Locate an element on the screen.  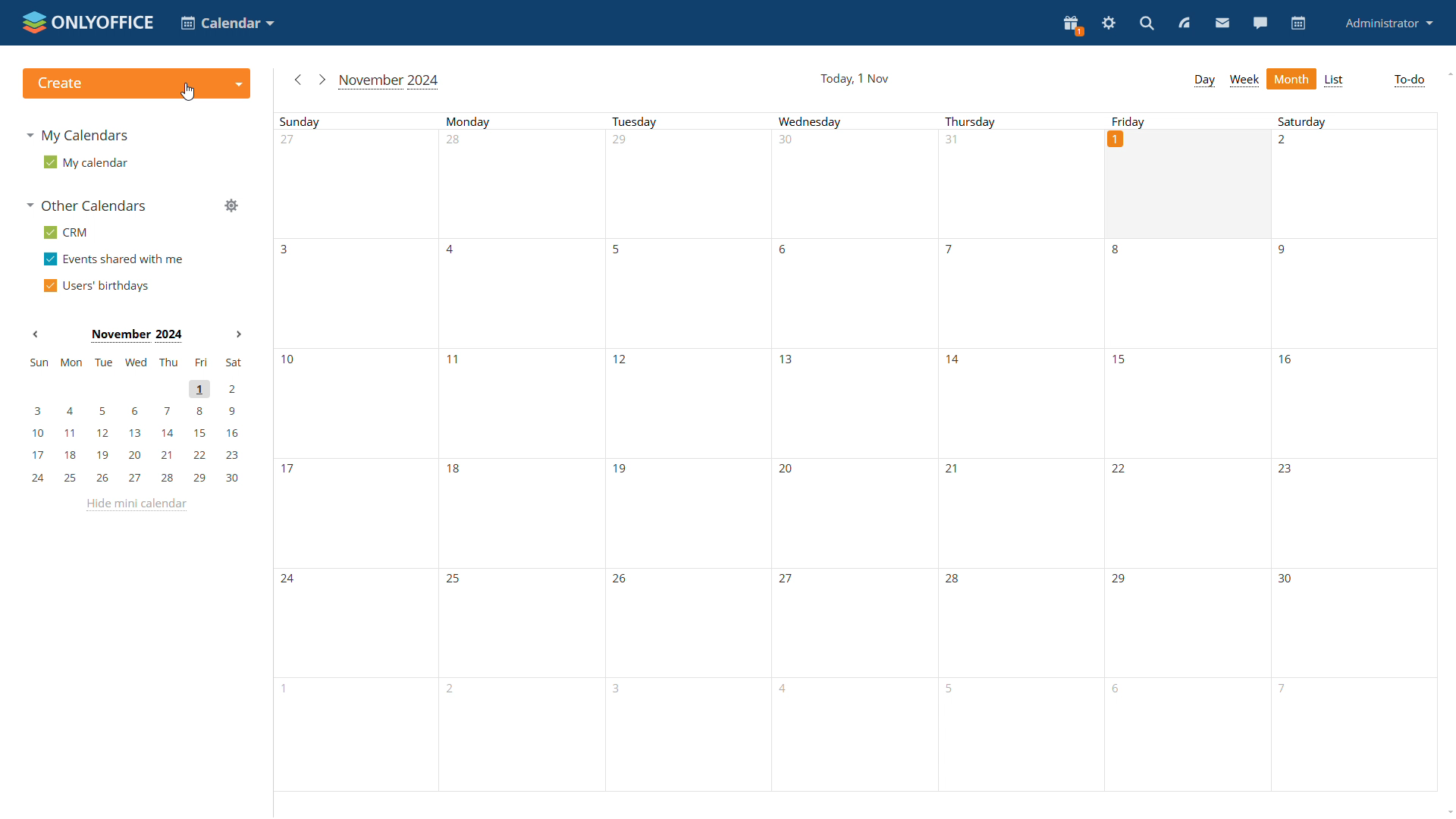
manage is located at coordinates (231, 206).